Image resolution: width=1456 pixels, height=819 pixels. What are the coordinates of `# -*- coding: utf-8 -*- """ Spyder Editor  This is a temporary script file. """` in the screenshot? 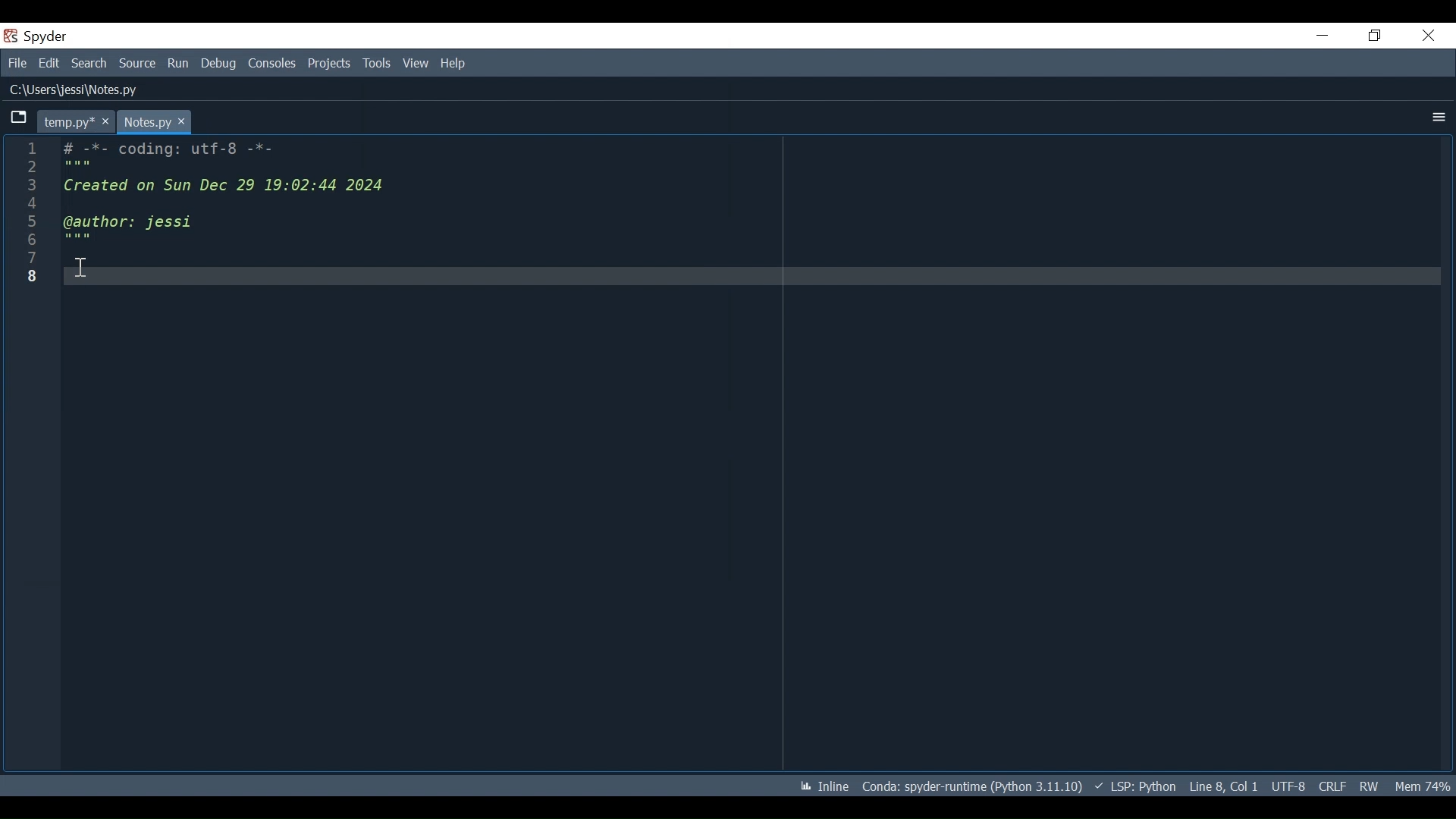 It's located at (750, 218).